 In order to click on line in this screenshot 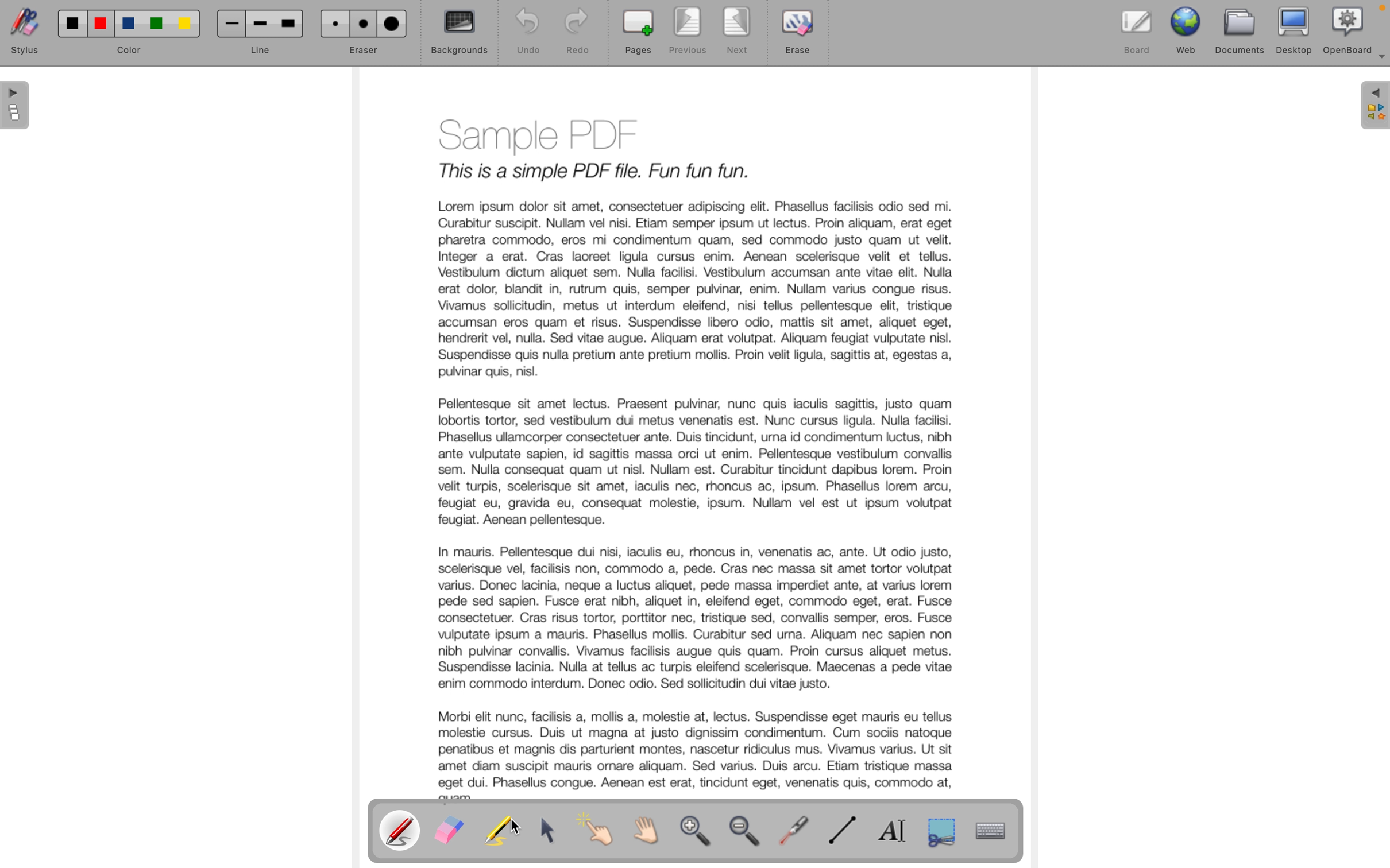, I will do `click(258, 34)`.